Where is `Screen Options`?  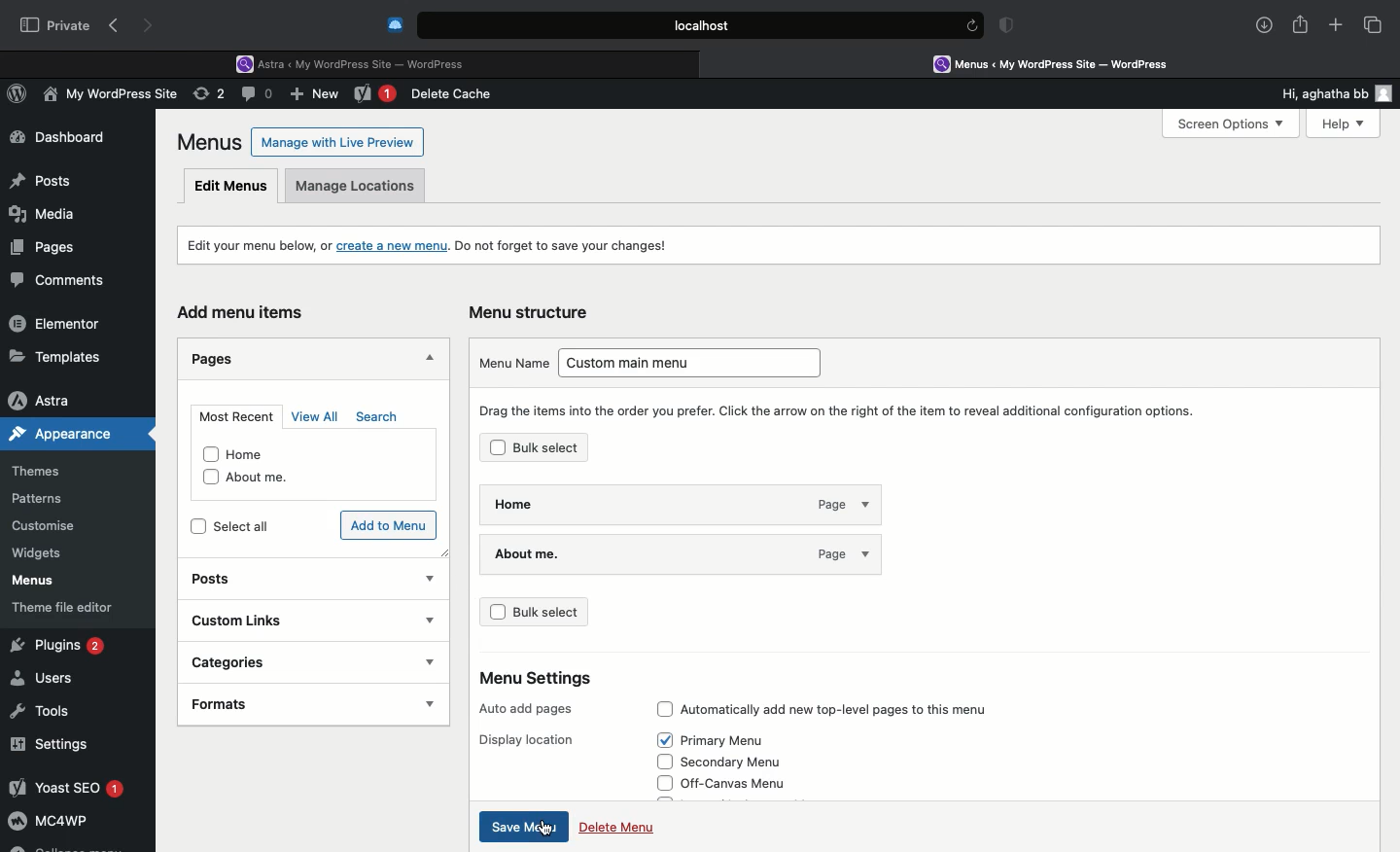
Screen Options is located at coordinates (1229, 124).